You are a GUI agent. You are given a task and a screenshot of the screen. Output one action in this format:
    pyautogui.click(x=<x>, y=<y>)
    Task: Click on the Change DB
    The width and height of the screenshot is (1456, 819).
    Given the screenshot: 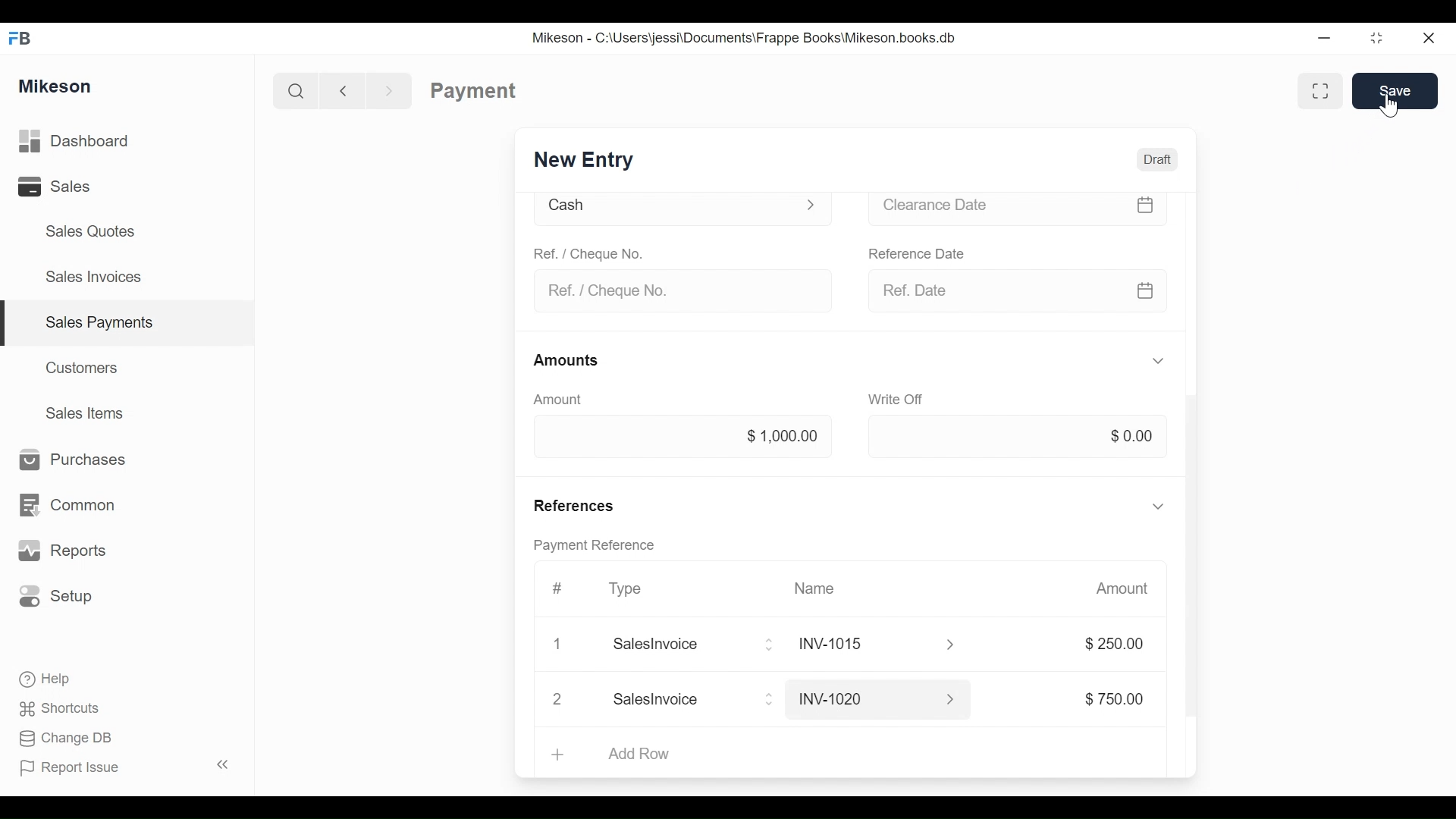 What is the action you would take?
    pyautogui.click(x=70, y=739)
    